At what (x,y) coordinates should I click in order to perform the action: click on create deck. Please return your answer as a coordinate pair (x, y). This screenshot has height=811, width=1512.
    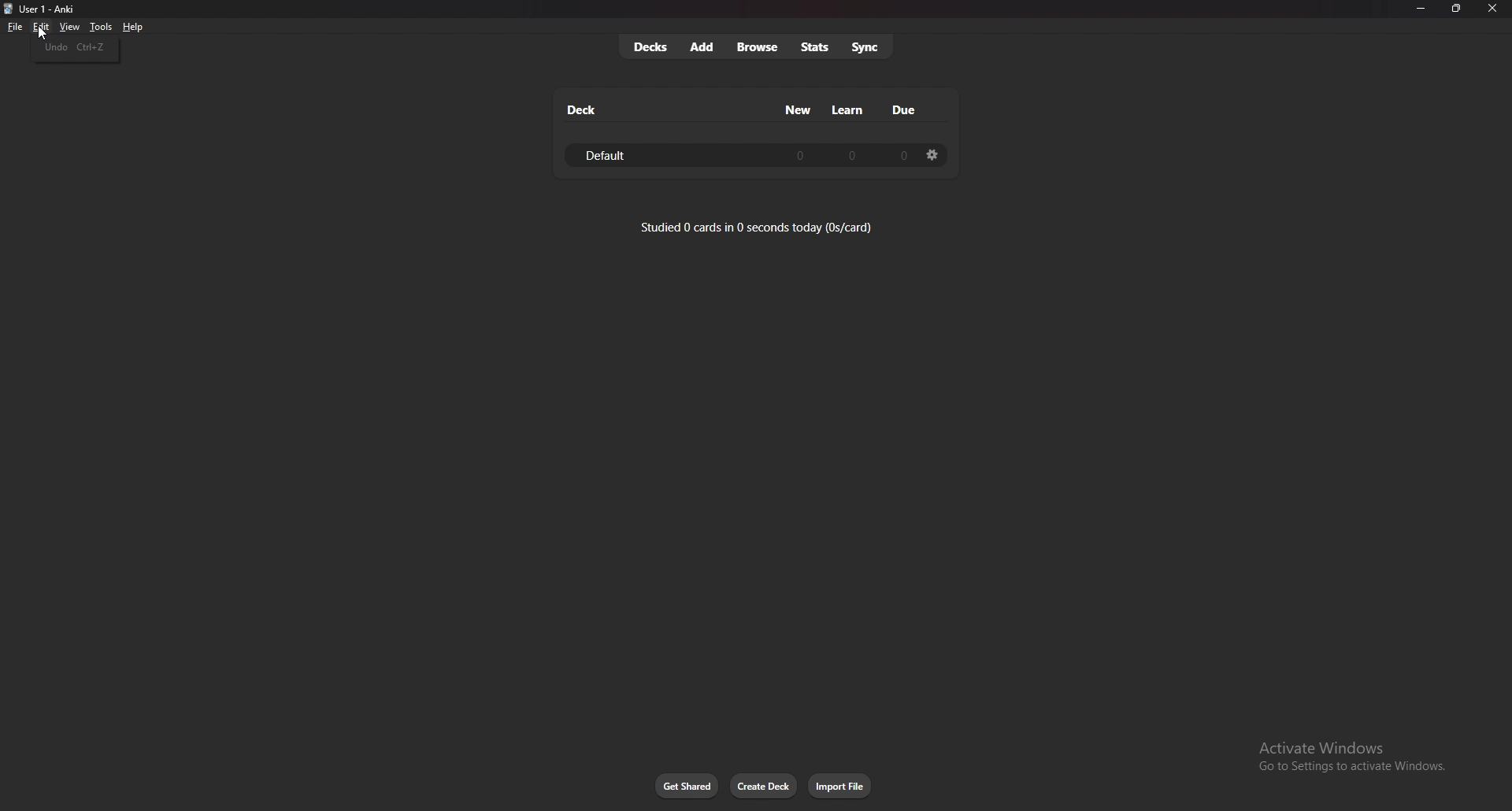
    Looking at the image, I should click on (765, 787).